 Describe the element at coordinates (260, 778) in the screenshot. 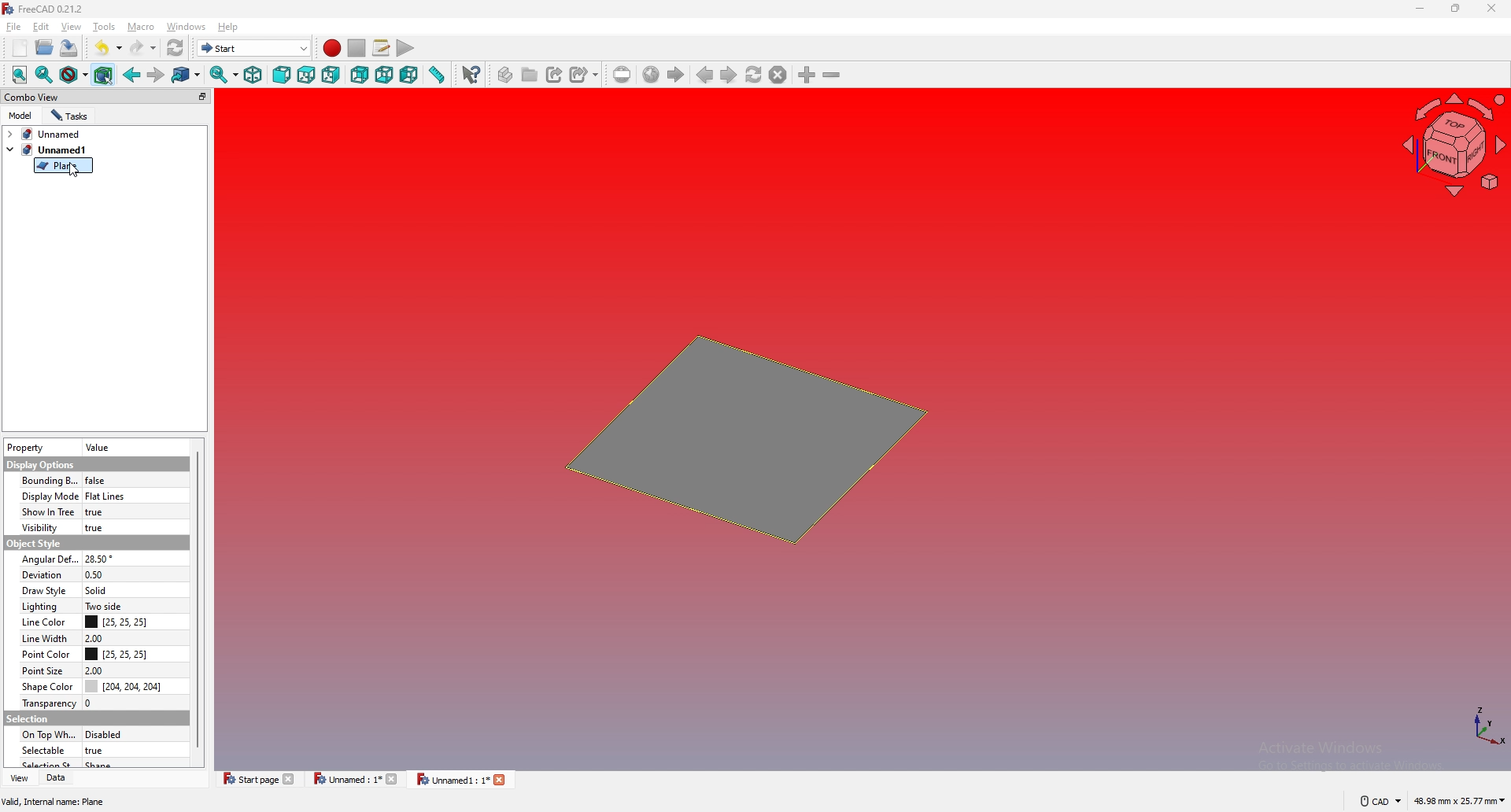

I see `start page` at that location.